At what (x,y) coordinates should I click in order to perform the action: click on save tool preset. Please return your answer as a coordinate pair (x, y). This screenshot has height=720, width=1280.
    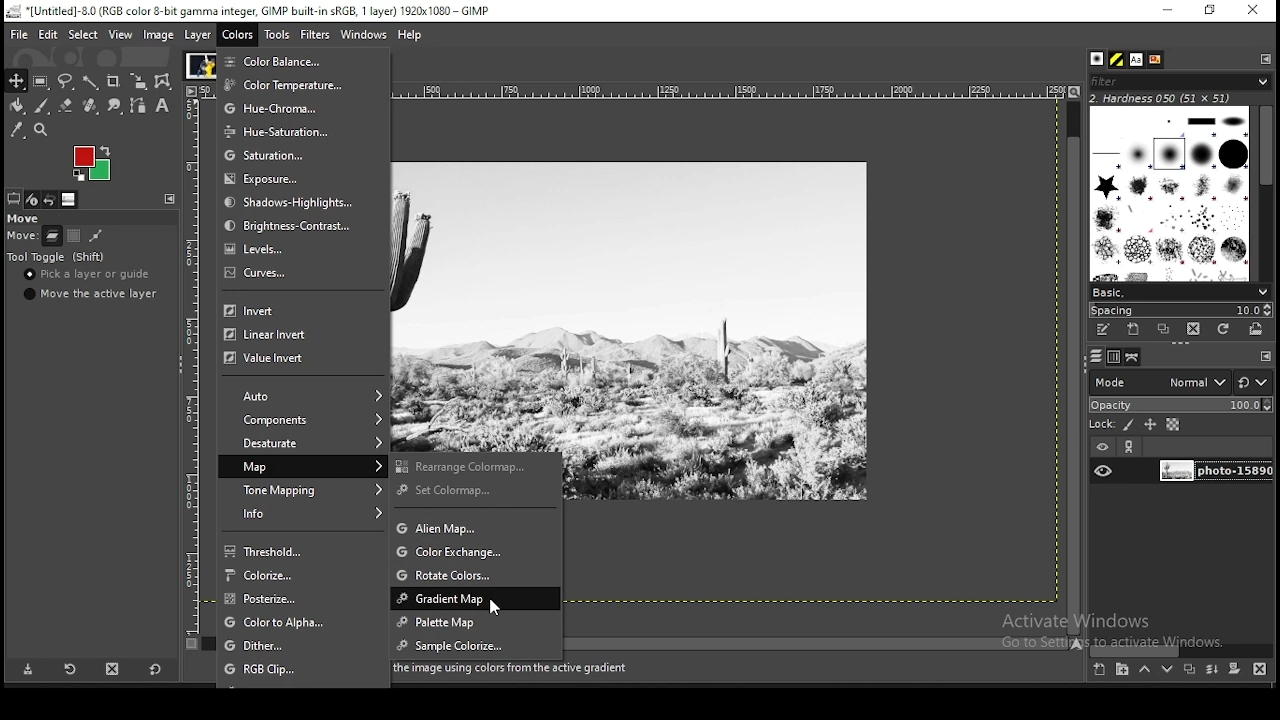
    Looking at the image, I should click on (26, 670).